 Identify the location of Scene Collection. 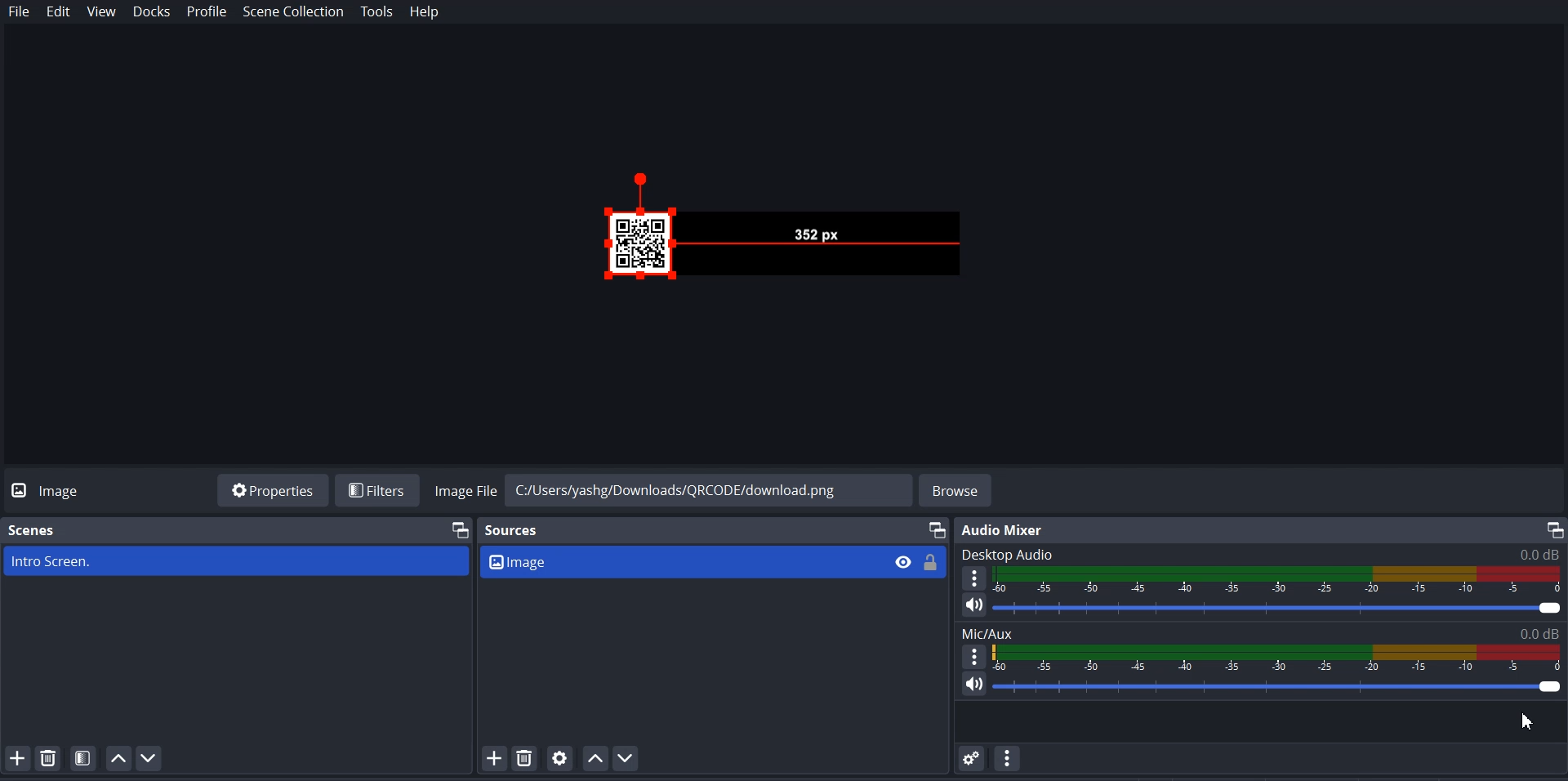
(292, 11).